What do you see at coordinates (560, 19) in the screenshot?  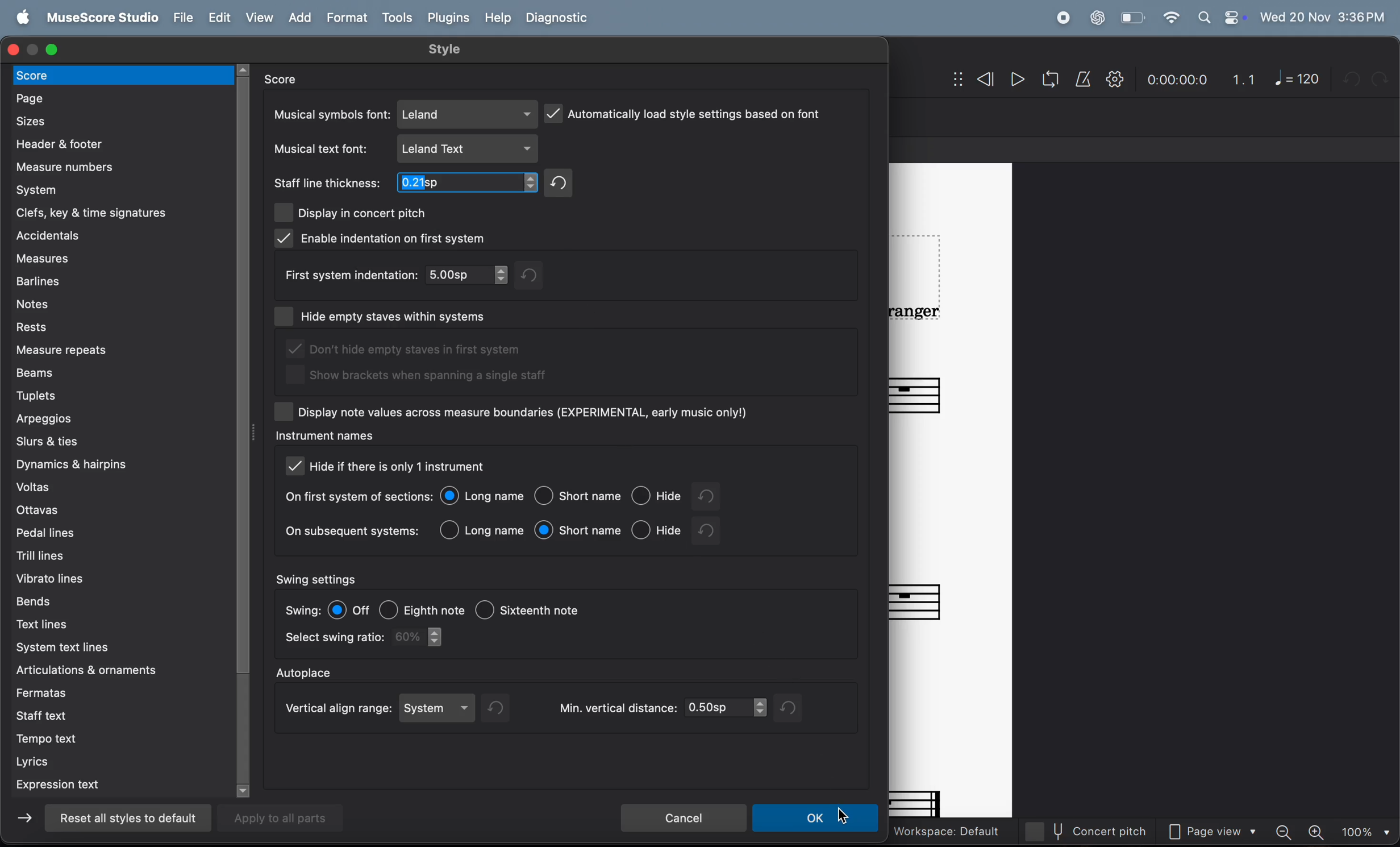 I see `diagnostics` at bounding box center [560, 19].